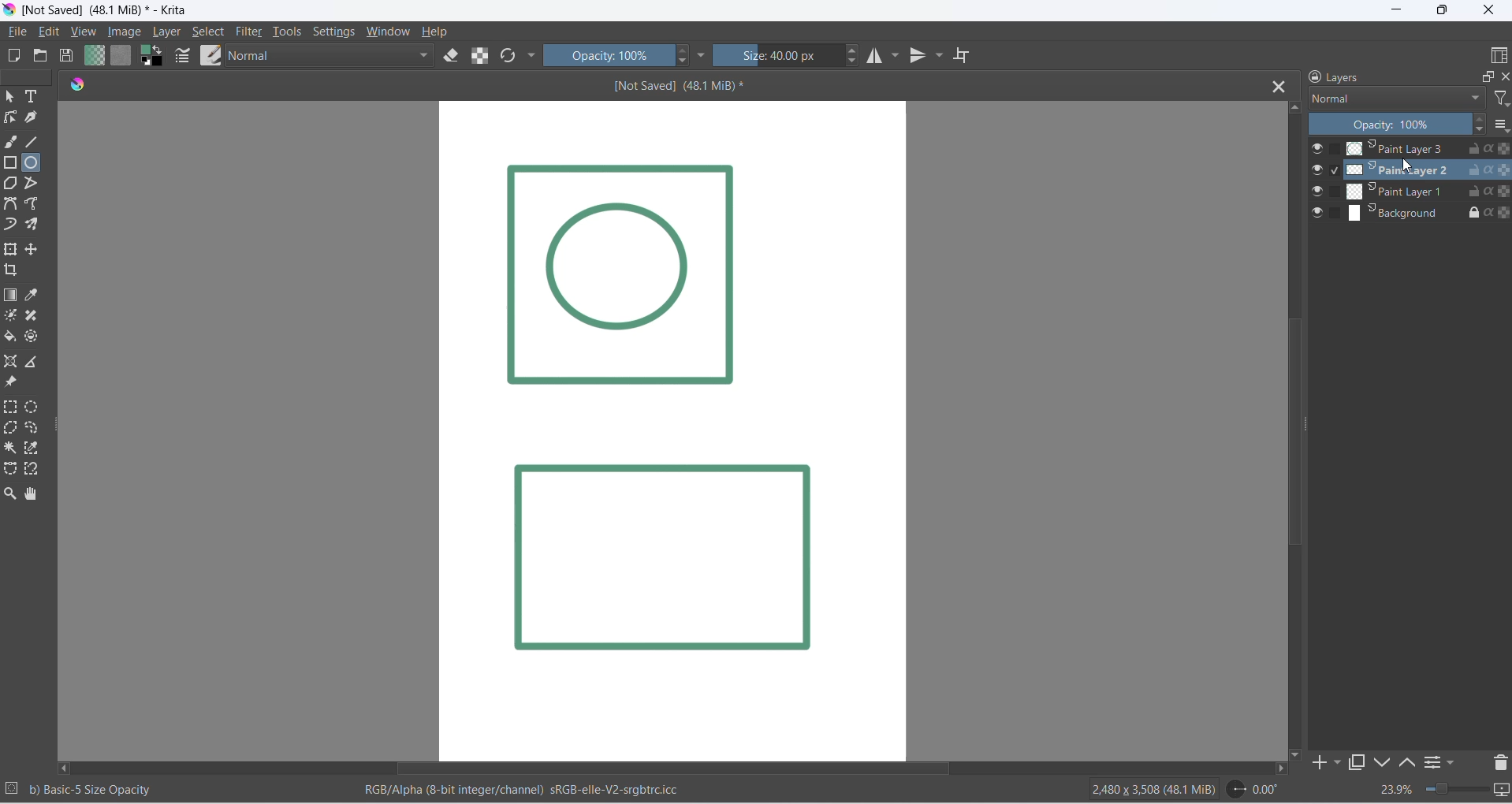 The image size is (1512, 804). Describe the element at coordinates (210, 56) in the screenshot. I see `brush preset` at that location.